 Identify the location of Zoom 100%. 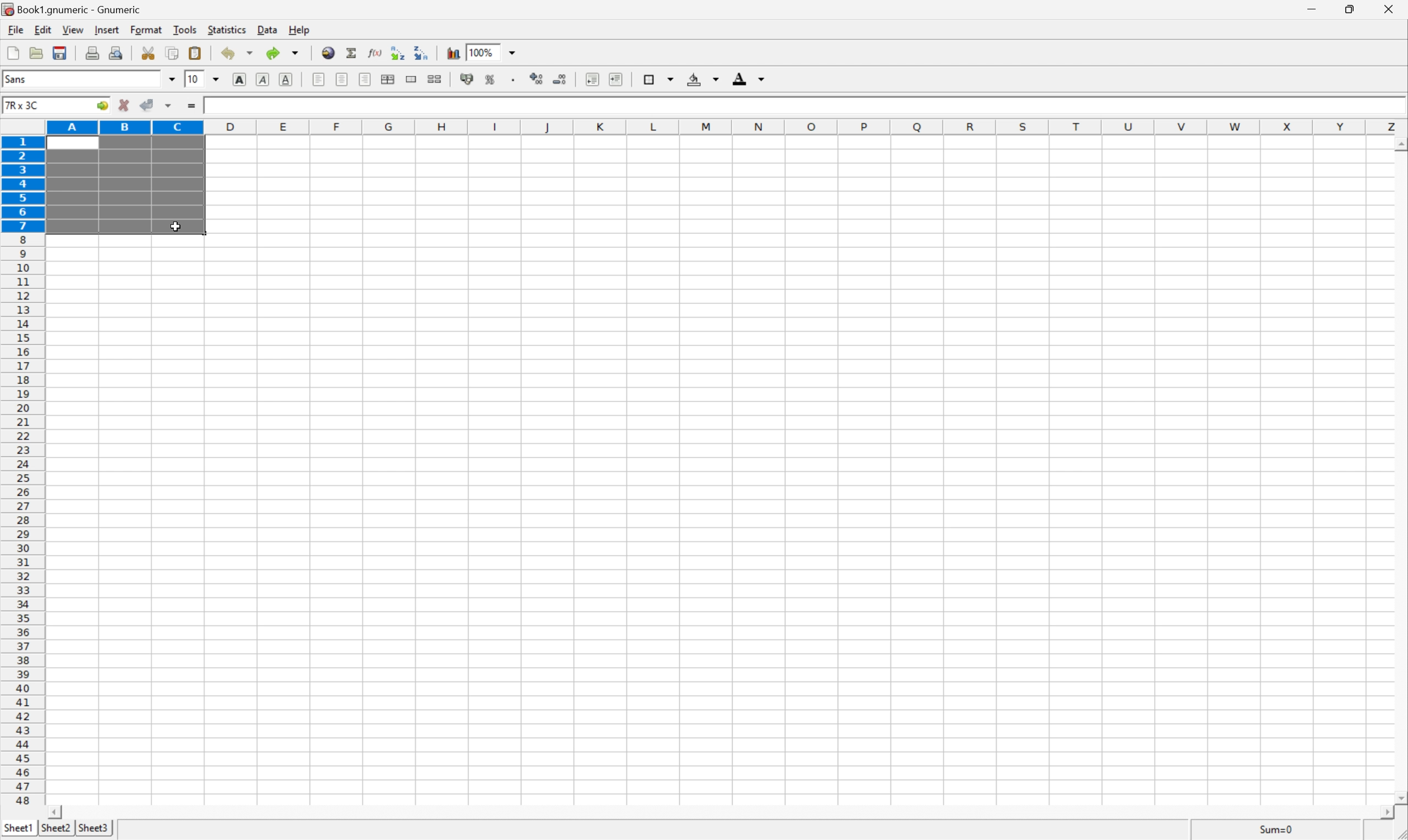
(503, 51).